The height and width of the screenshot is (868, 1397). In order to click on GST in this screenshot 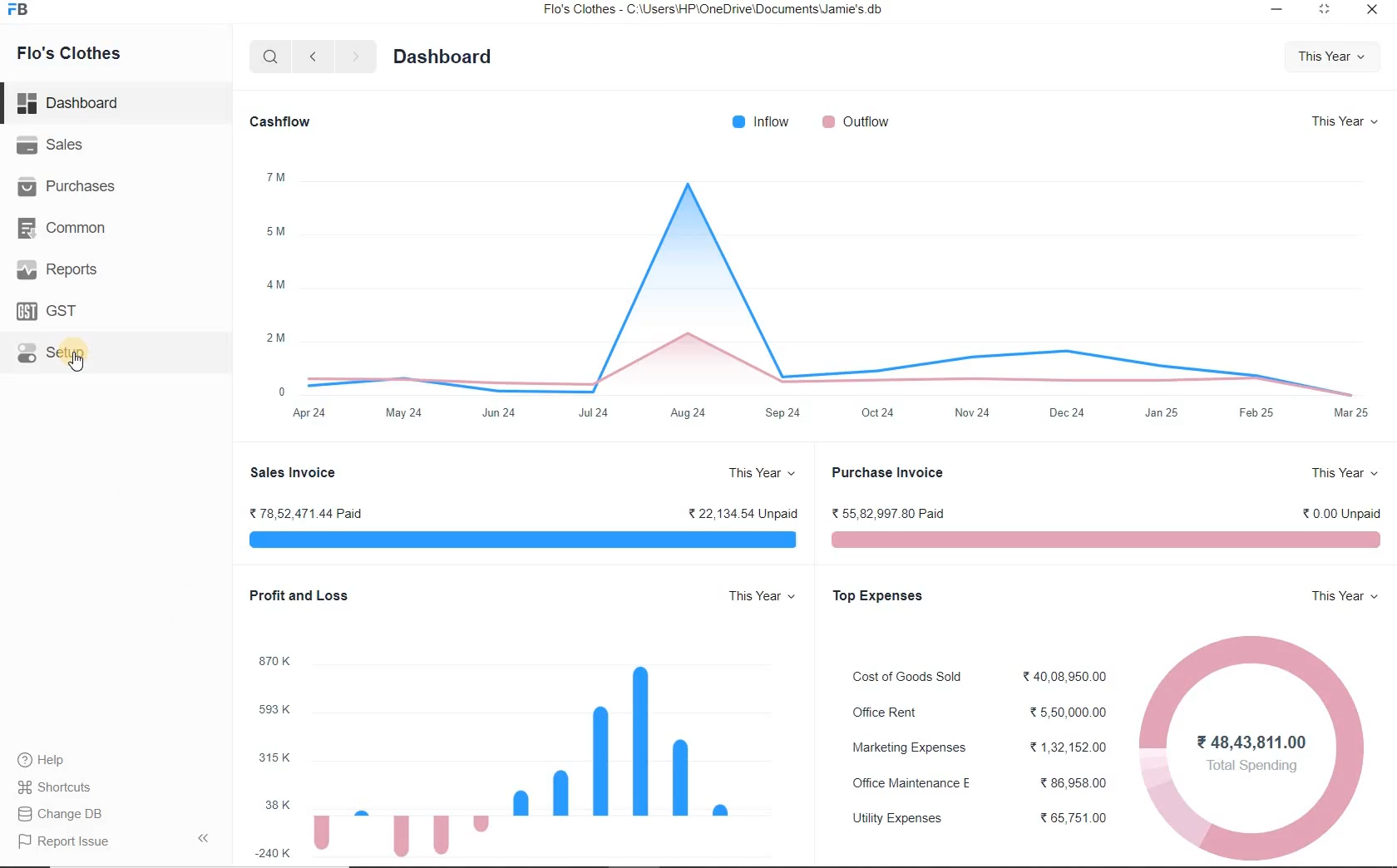, I will do `click(54, 309)`.